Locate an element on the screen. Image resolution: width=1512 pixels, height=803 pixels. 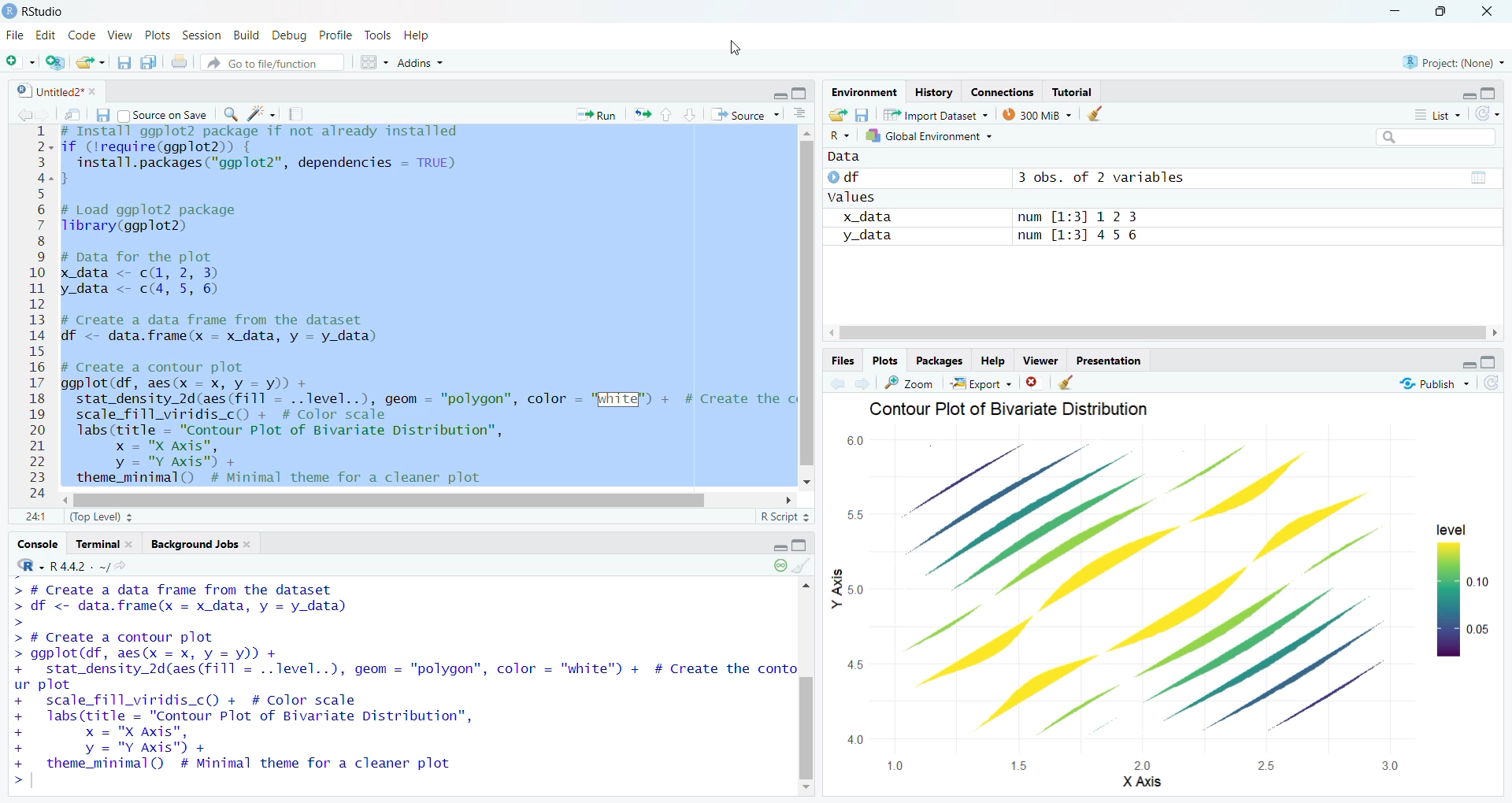
find/replace is located at coordinates (228, 115).